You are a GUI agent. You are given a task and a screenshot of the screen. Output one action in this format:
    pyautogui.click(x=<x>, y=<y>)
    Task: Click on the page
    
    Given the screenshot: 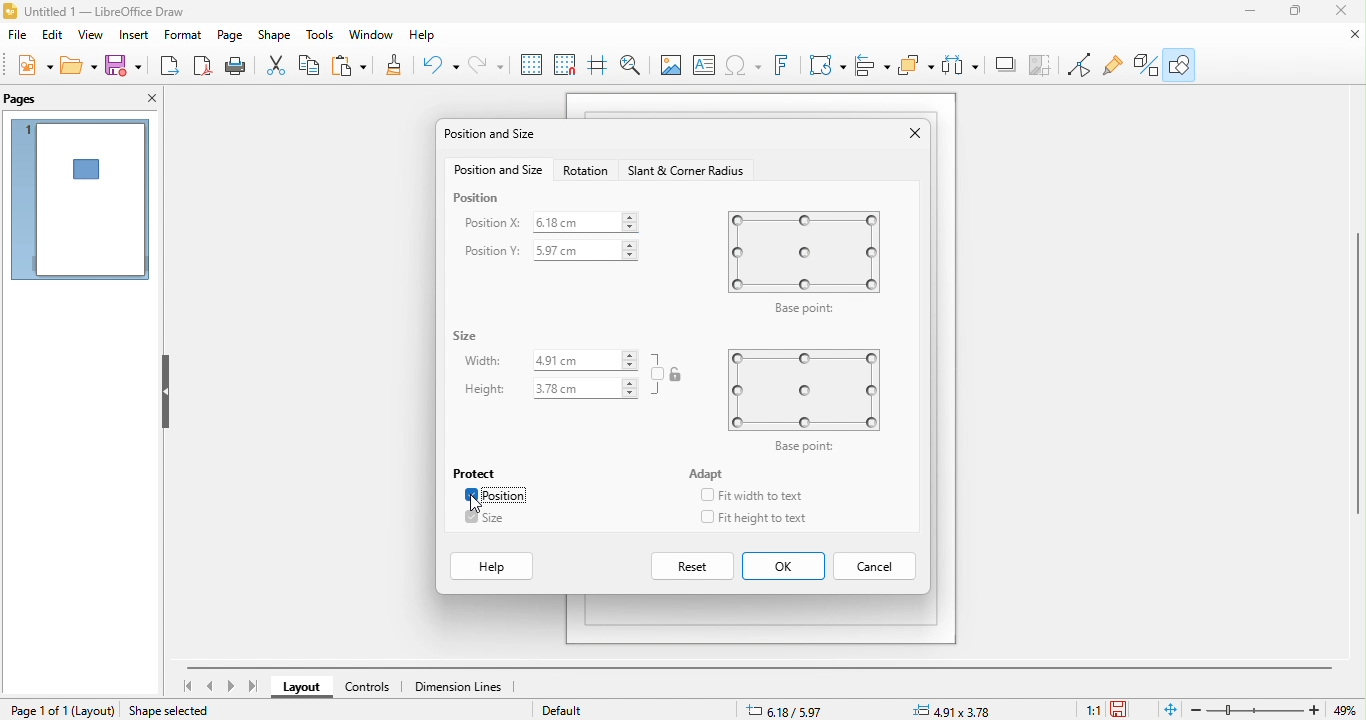 What is the action you would take?
    pyautogui.click(x=231, y=38)
    